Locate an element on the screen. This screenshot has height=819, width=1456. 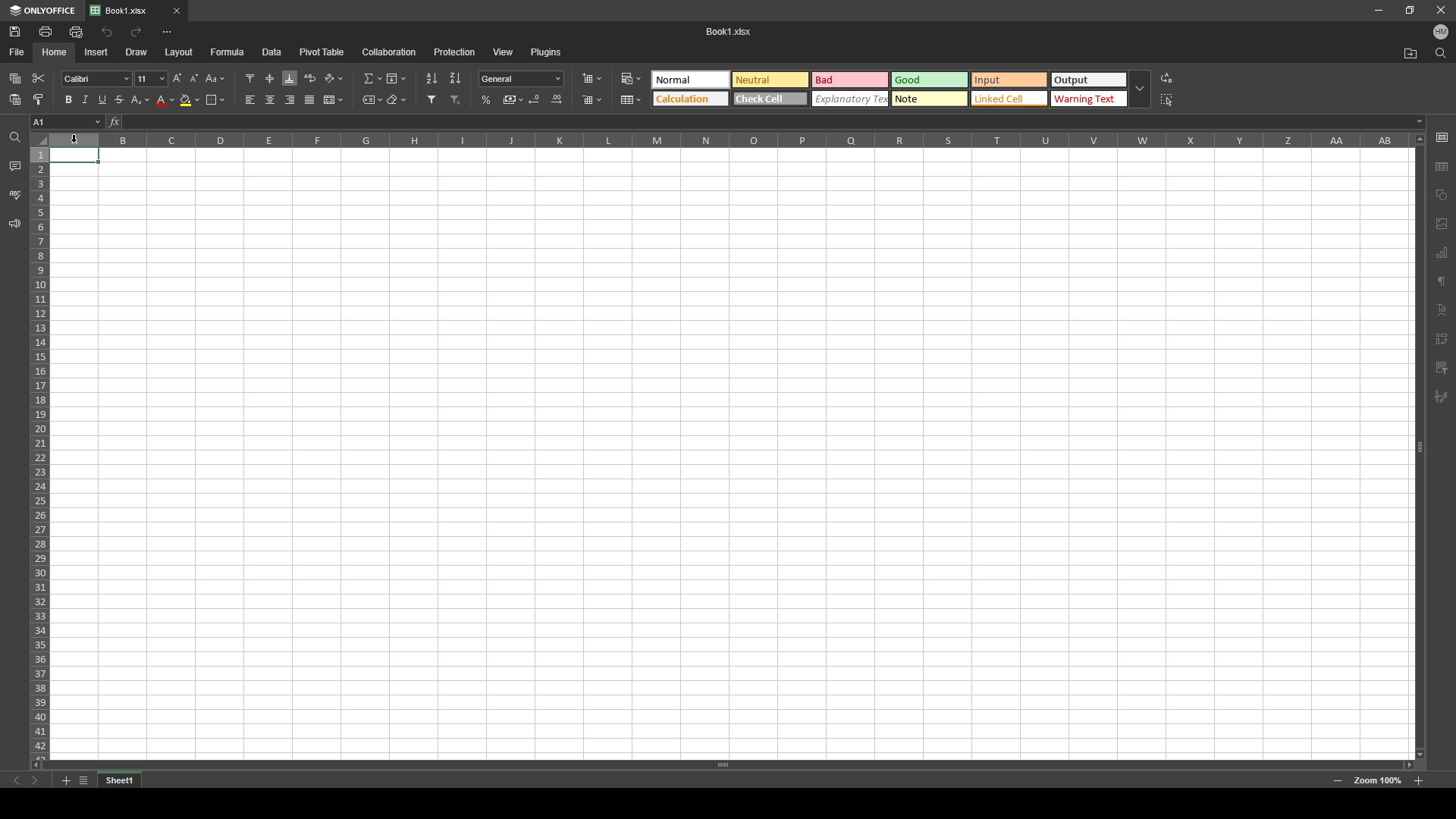
drop down is located at coordinates (1141, 90).